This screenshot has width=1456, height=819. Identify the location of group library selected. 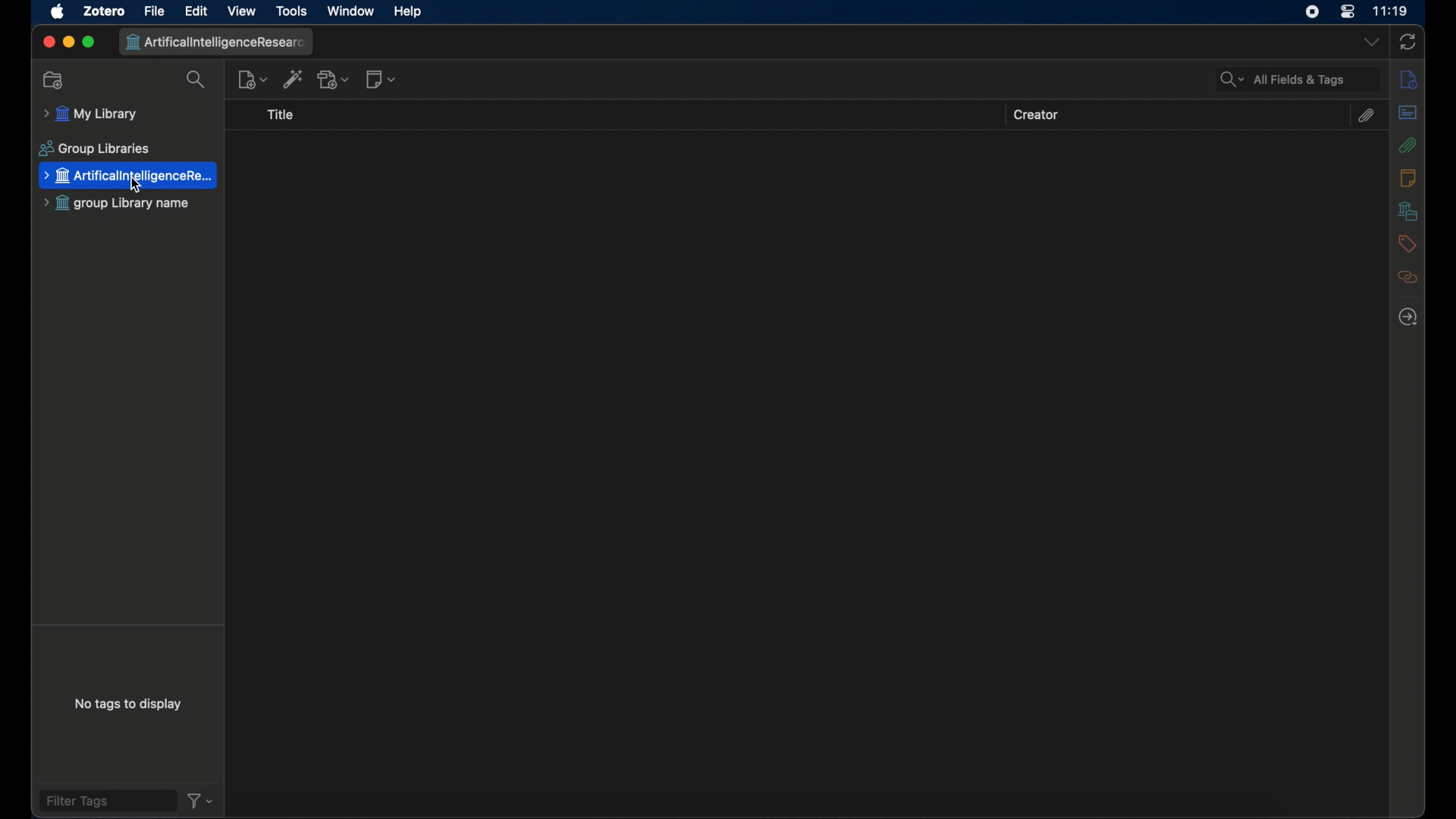
(130, 176).